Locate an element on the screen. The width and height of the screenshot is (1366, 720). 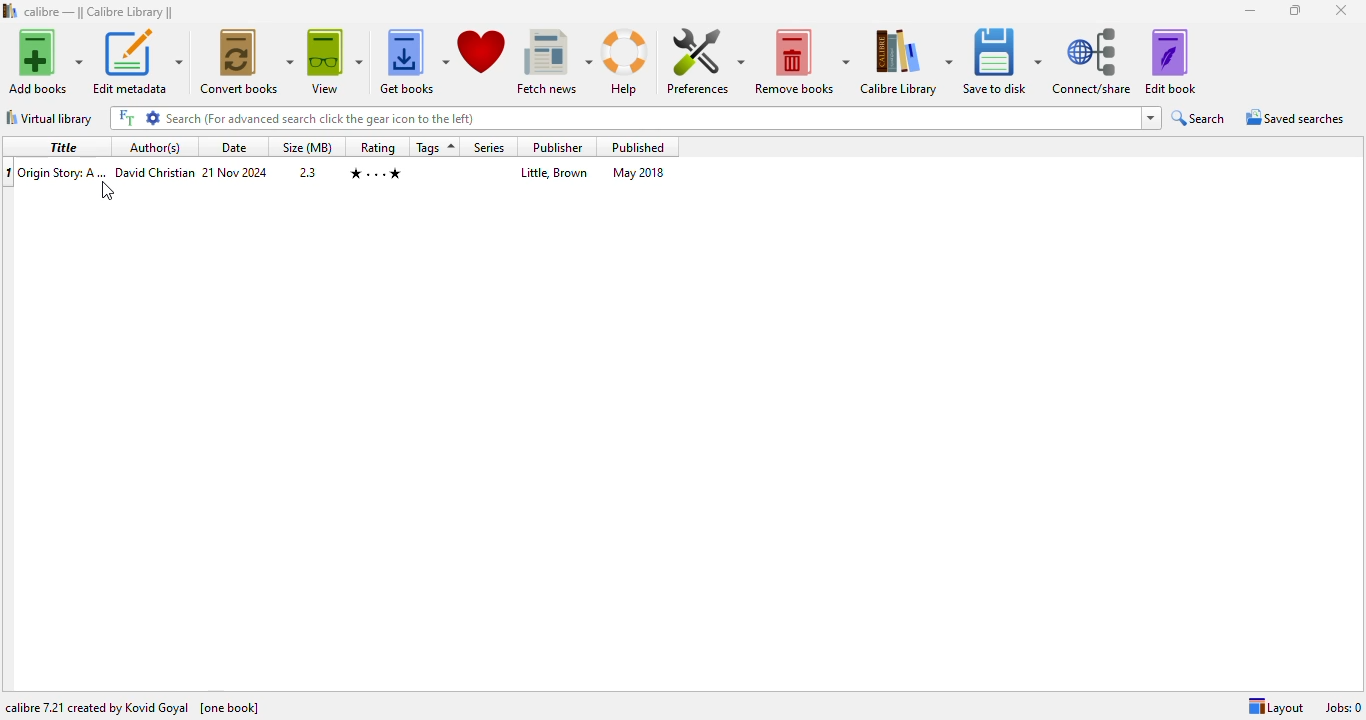
cursor is located at coordinates (107, 190).